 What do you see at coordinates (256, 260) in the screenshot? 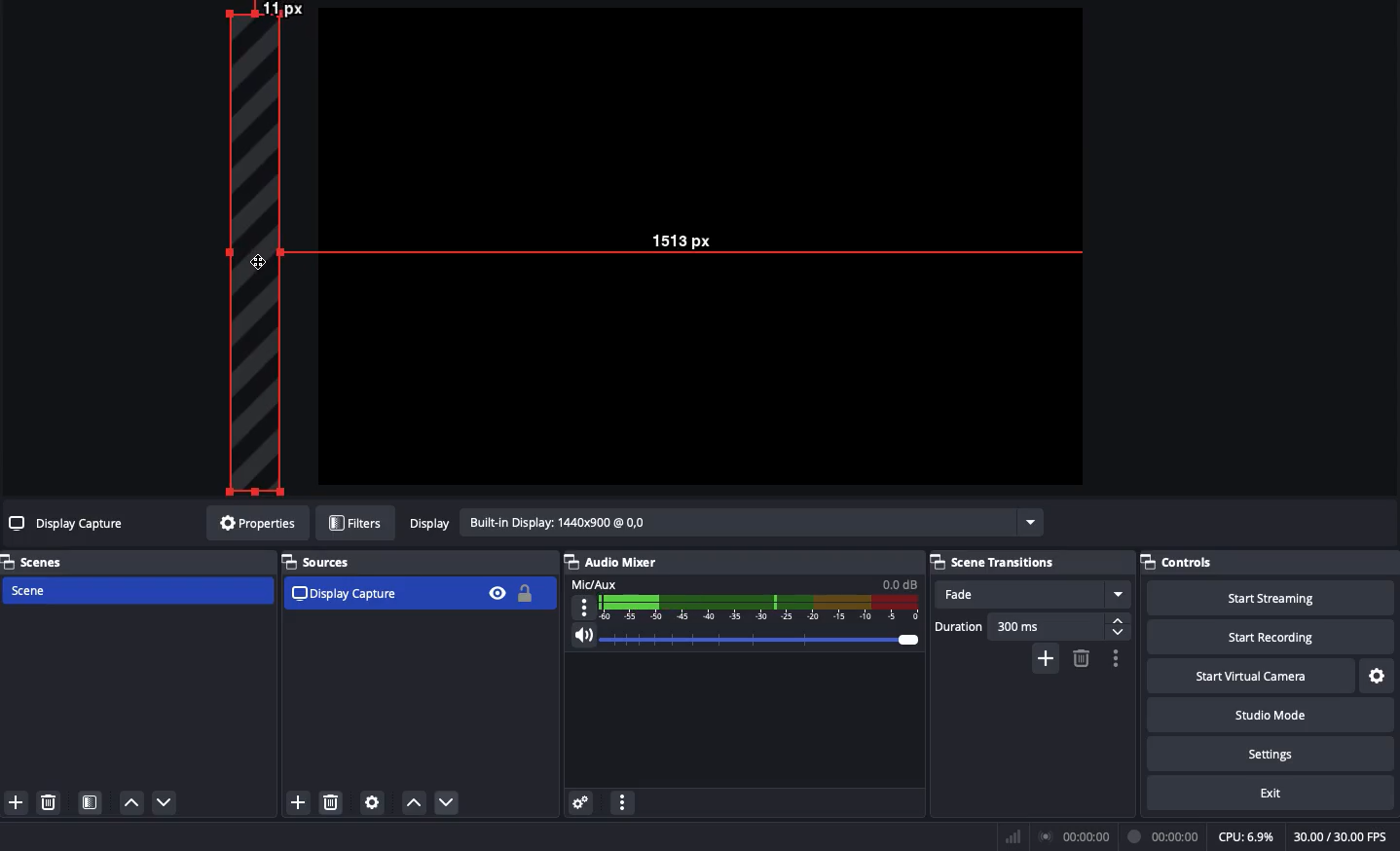
I see `Drag` at bounding box center [256, 260].